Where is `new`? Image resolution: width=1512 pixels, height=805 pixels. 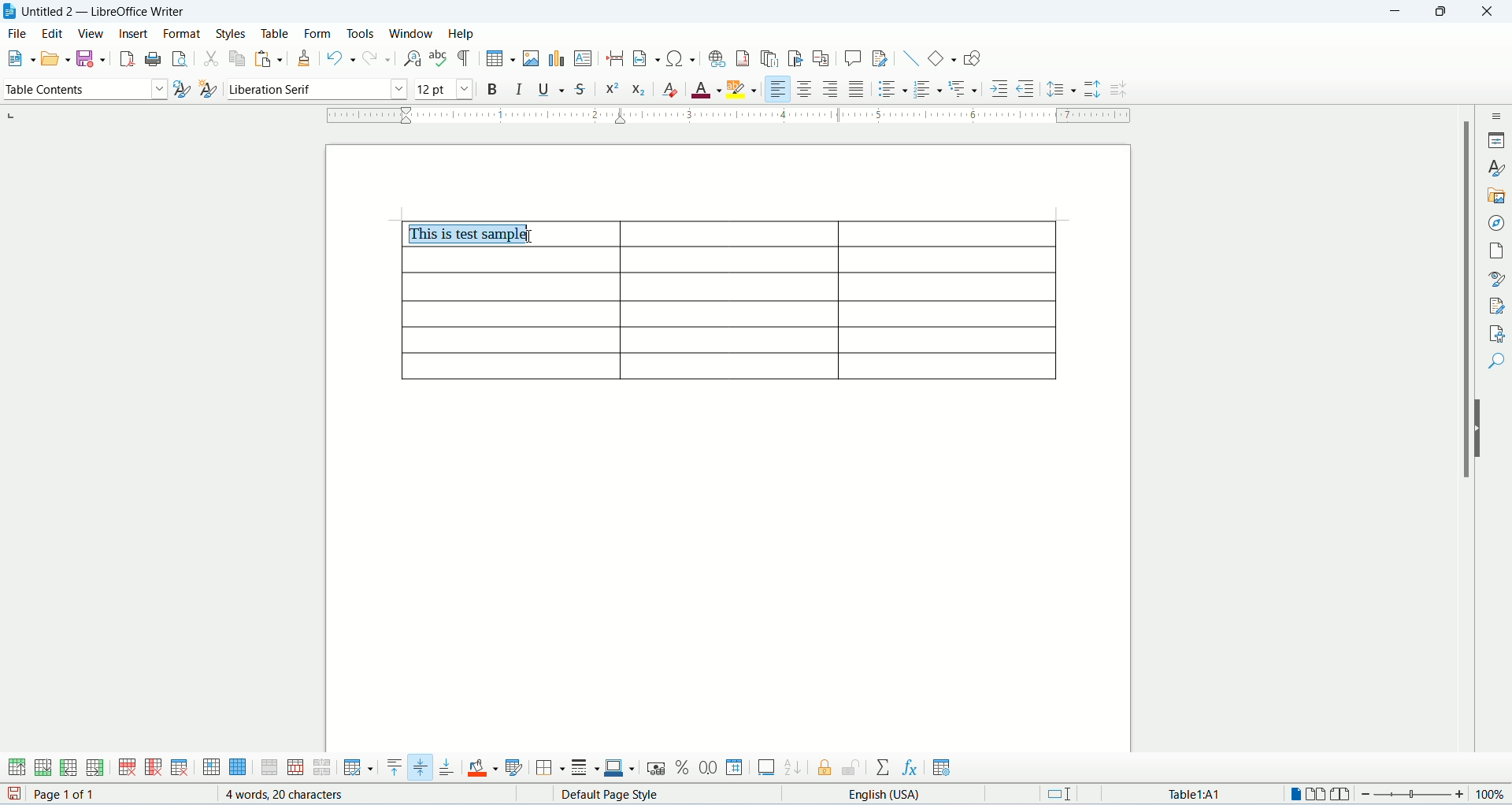 new is located at coordinates (19, 57).